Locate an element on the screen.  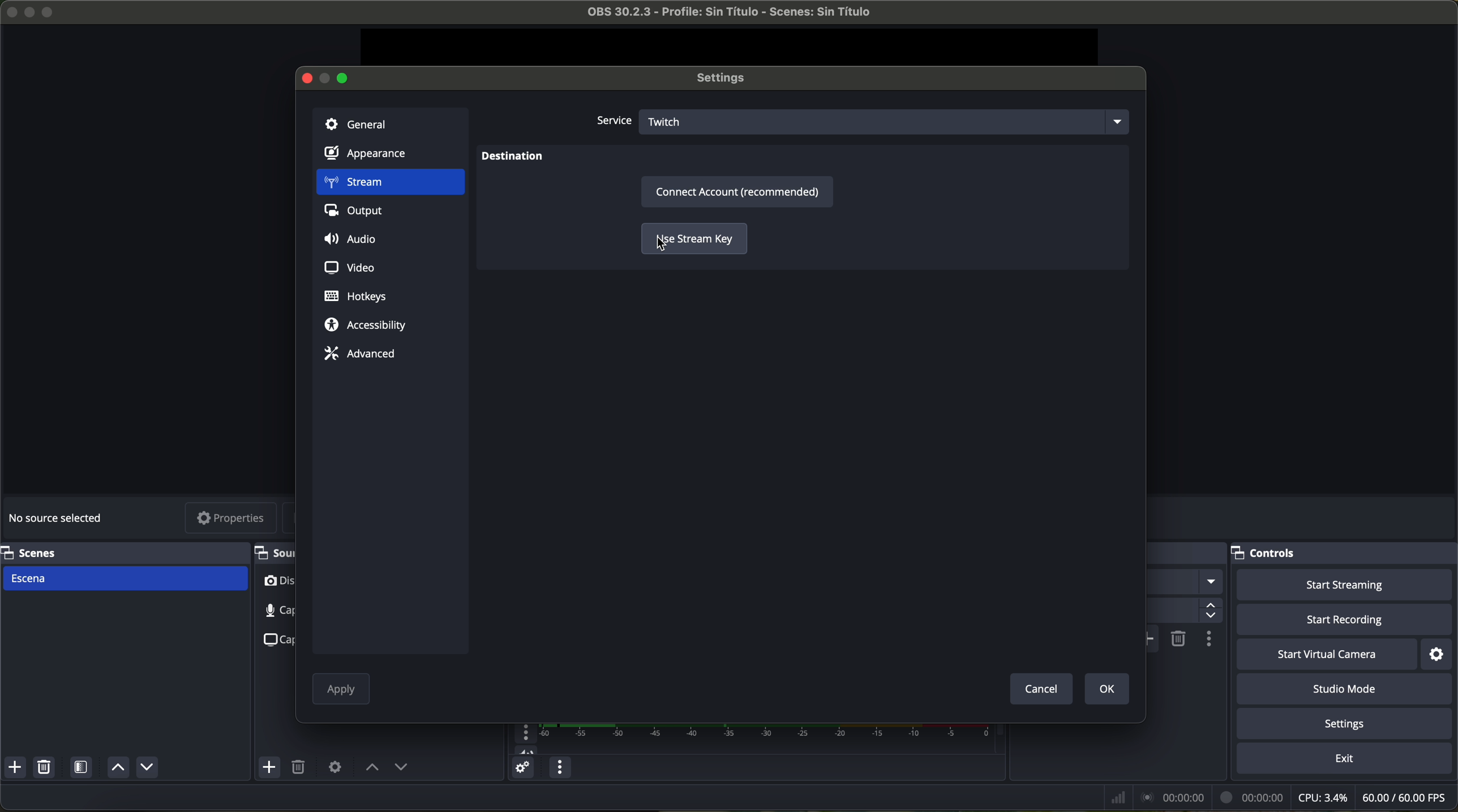
connect acount button is located at coordinates (739, 192).